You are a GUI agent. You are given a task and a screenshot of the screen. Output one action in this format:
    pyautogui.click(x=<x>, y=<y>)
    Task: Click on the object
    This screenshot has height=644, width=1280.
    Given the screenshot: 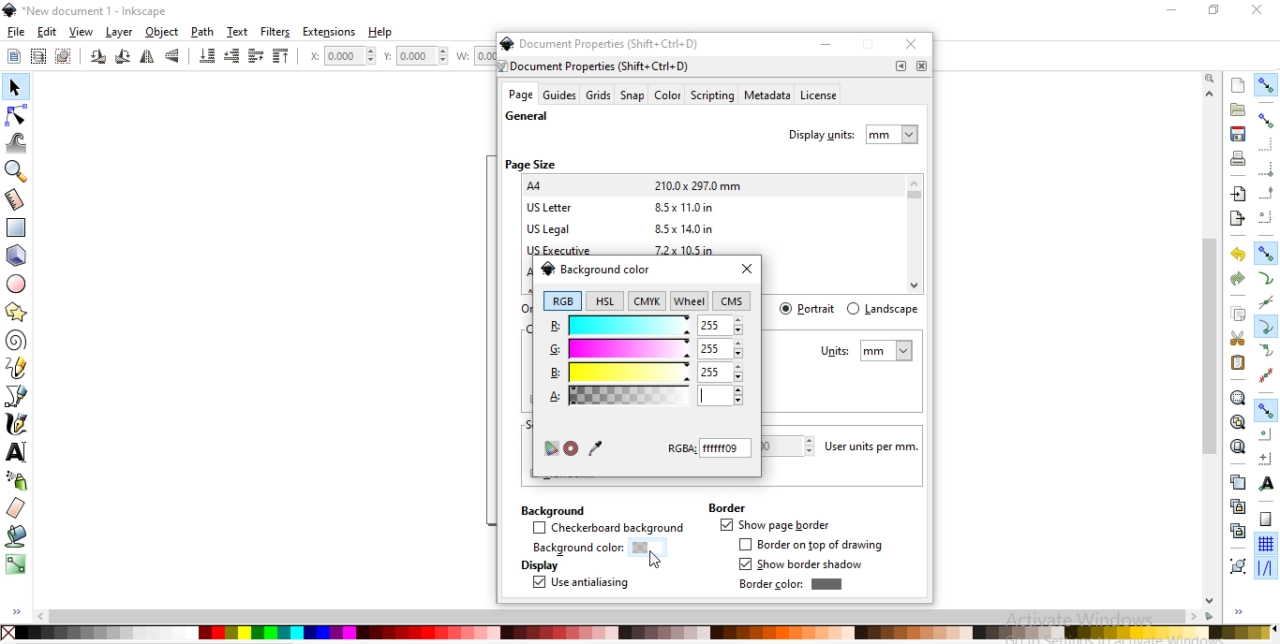 What is the action you would take?
    pyautogui.click(x=162, y=32)
    